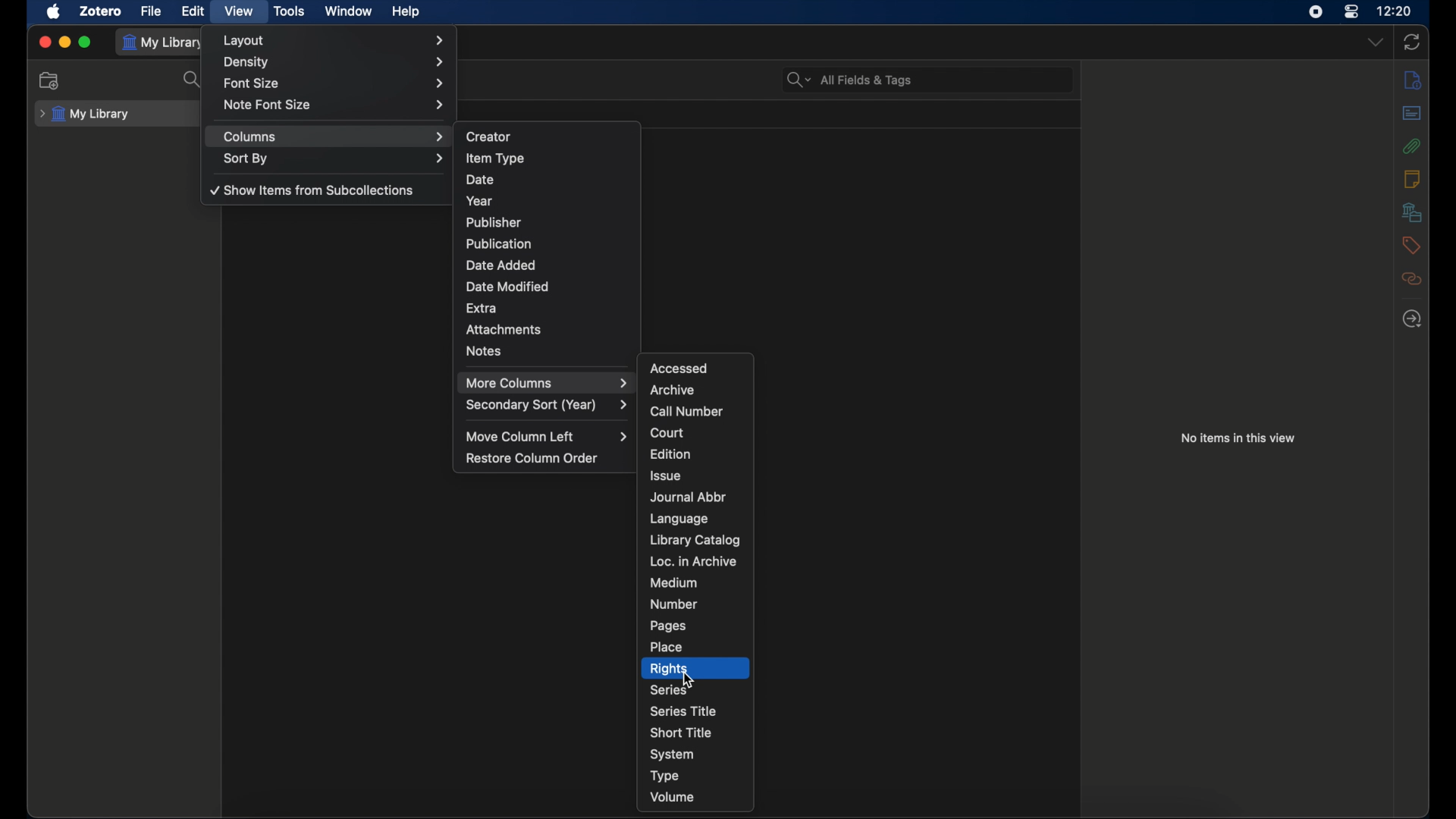 The width and height of the screenshot is (1456, 819). I want to click on medium, so click(673, 583).